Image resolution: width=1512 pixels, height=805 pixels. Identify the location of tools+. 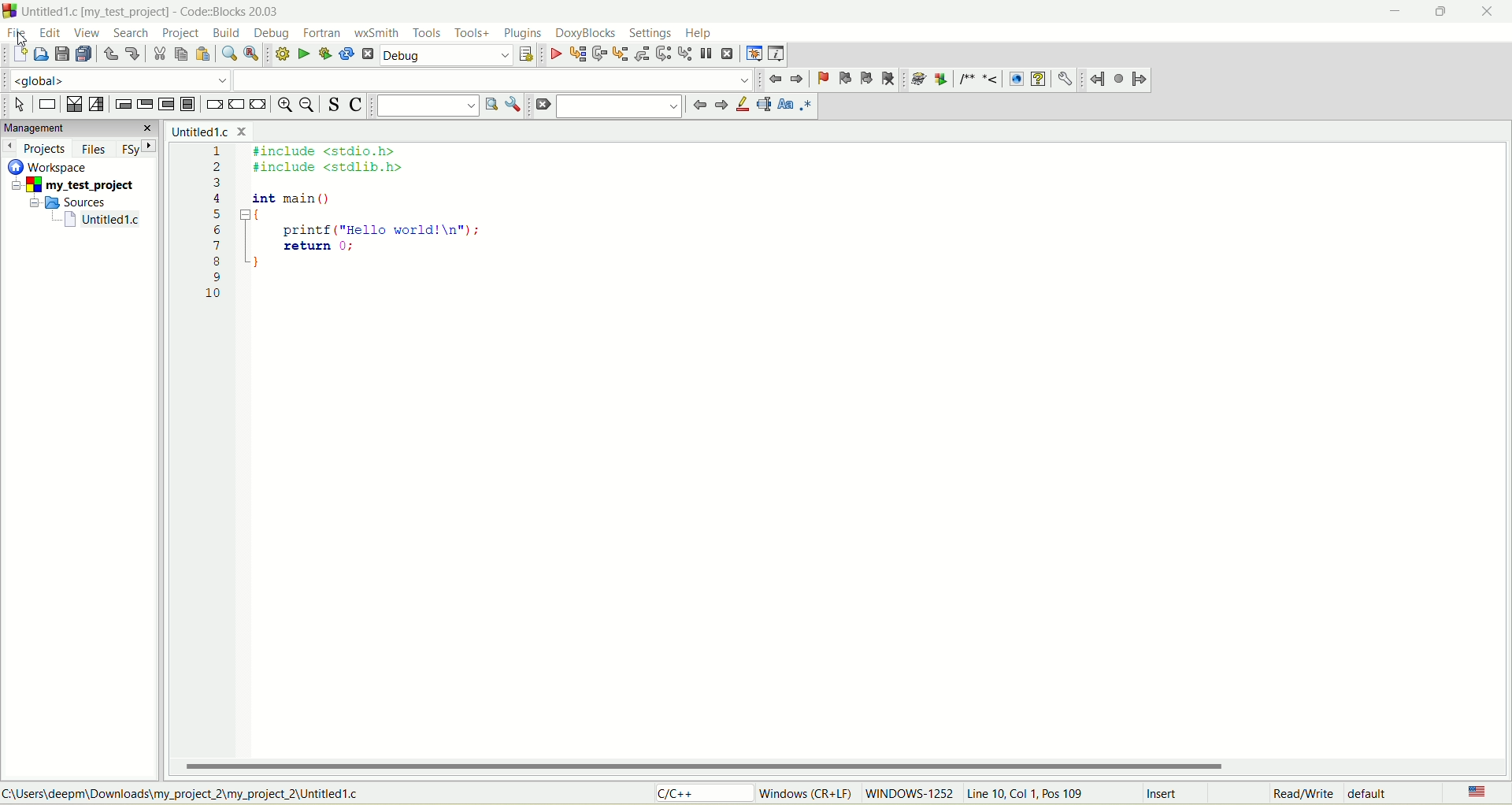
(472, 33).